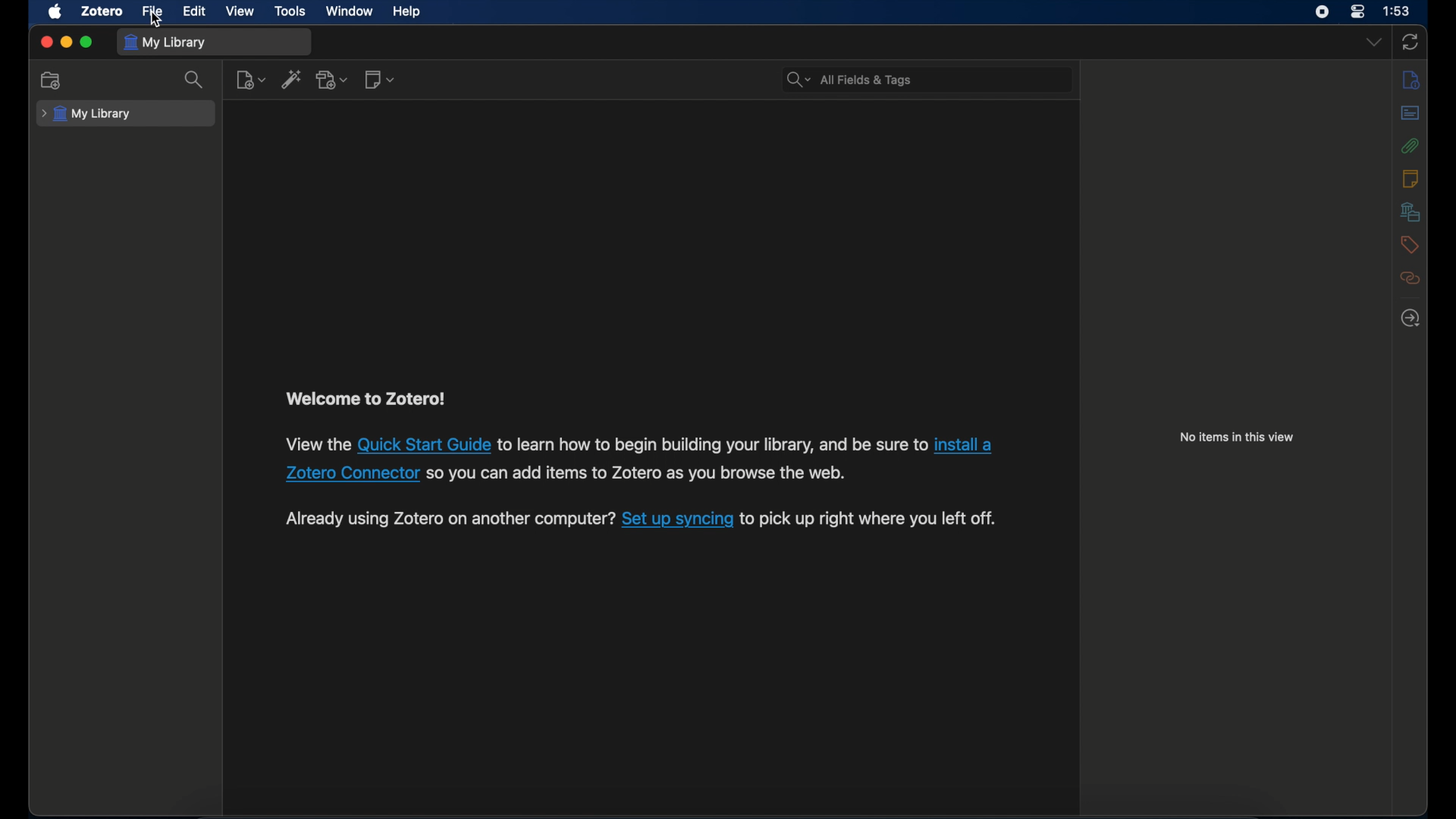  I want to click on add item by identifier, so click(293, 79).